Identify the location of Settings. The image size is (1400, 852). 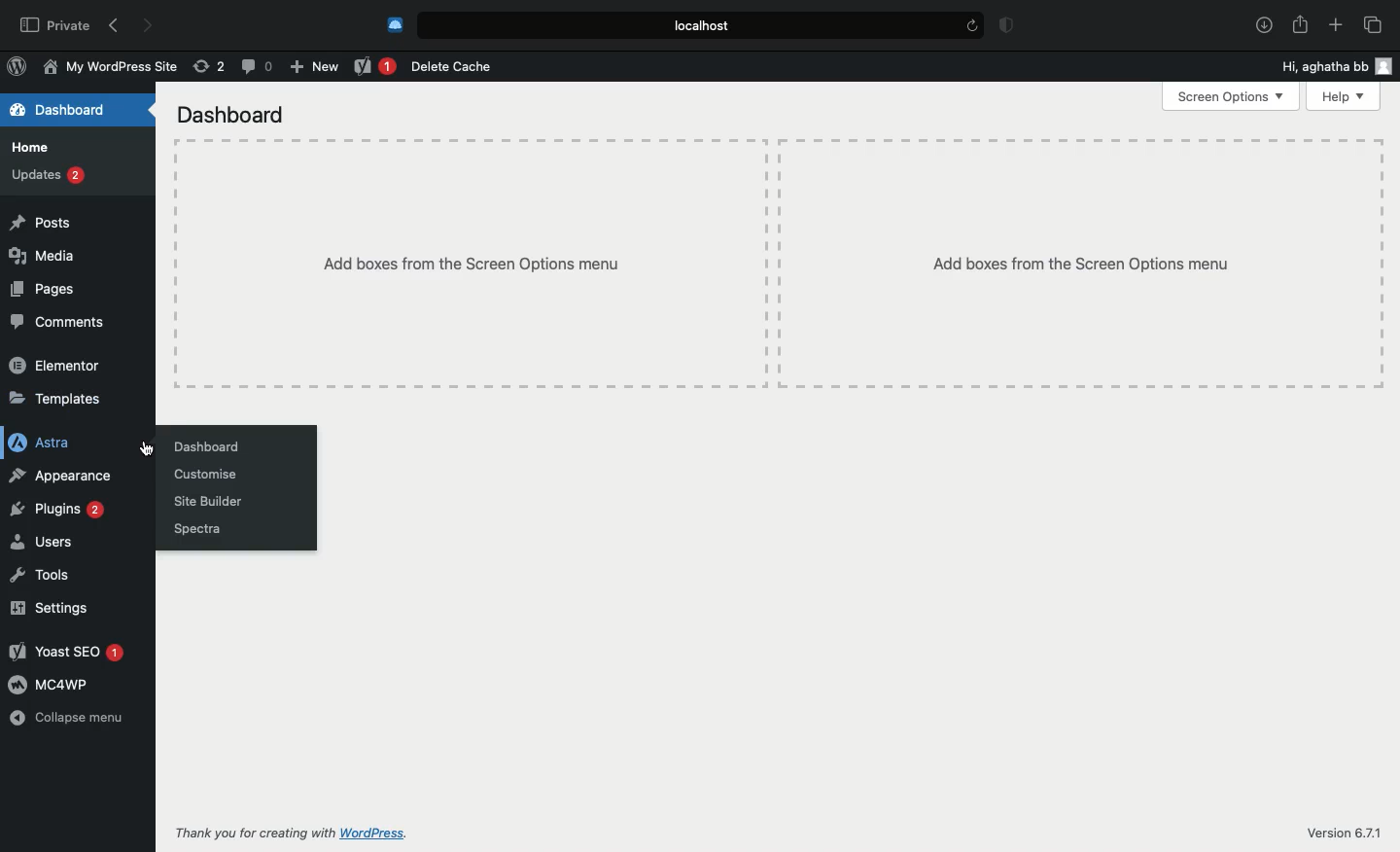
(51, 609).